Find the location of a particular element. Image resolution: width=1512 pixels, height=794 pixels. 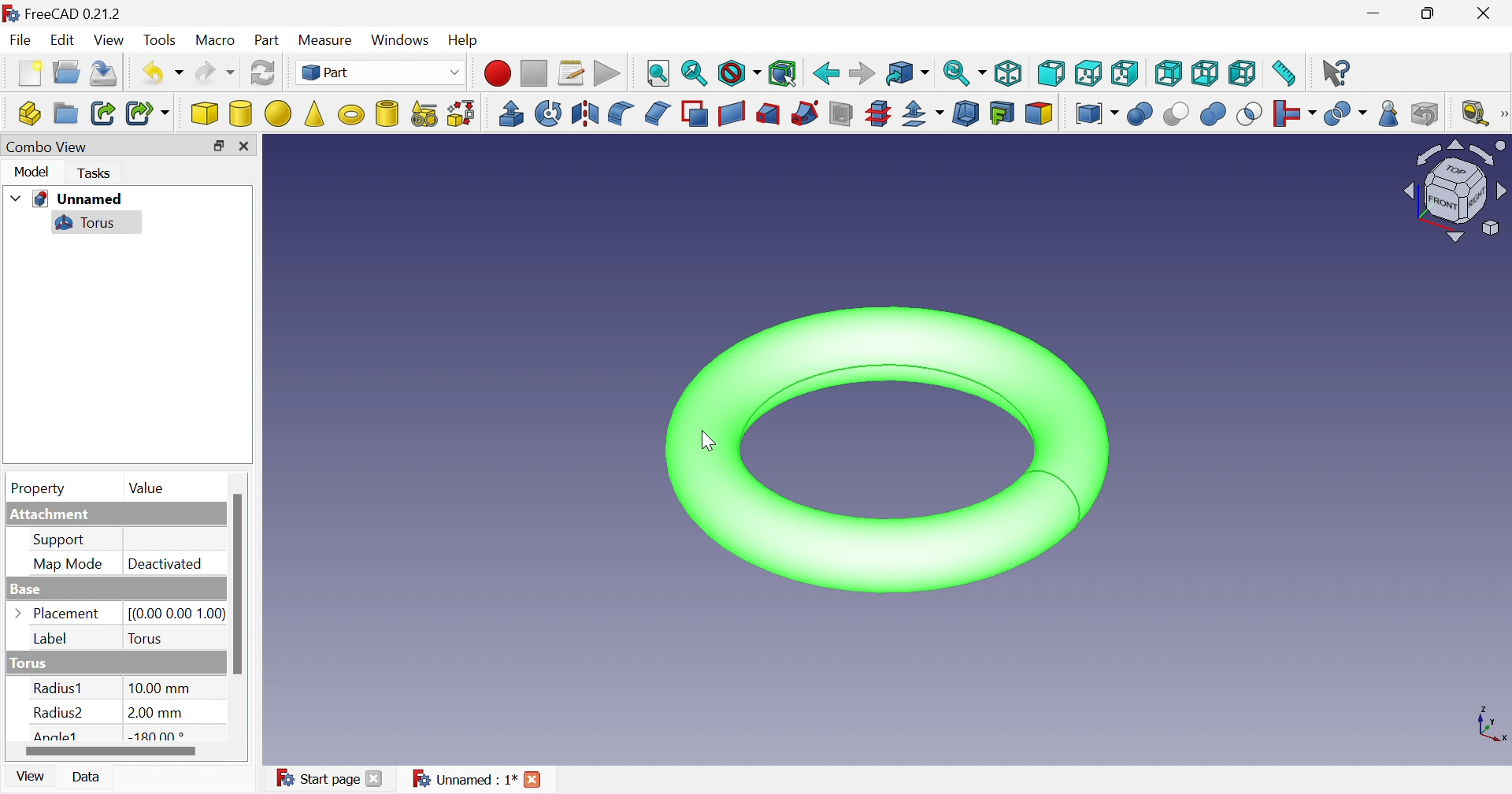

Drop down is located at coordinates (17, 198).